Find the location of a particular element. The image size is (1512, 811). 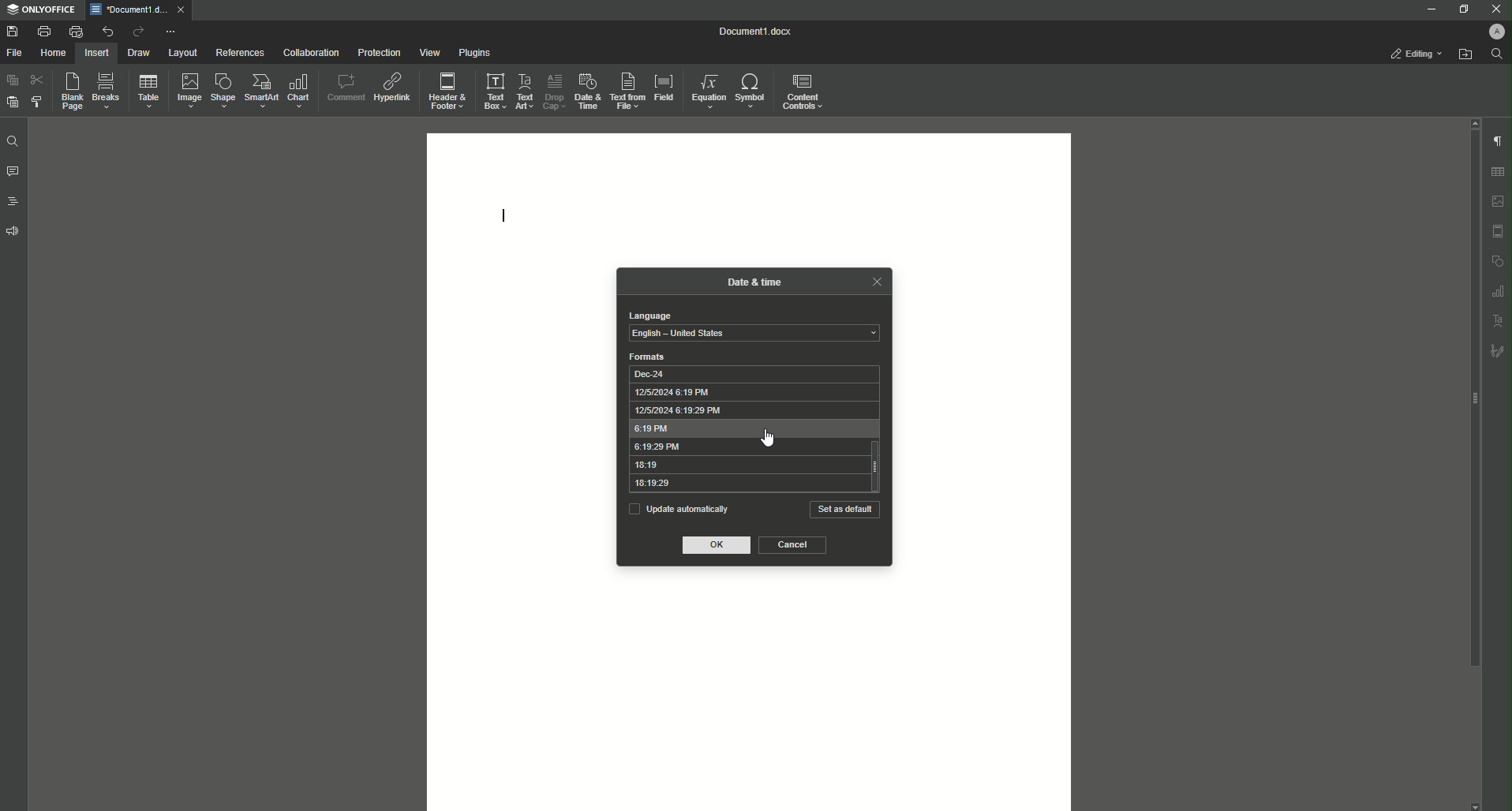

12/5/2024 6:19:29 PM is located at coordinates (747, 410).